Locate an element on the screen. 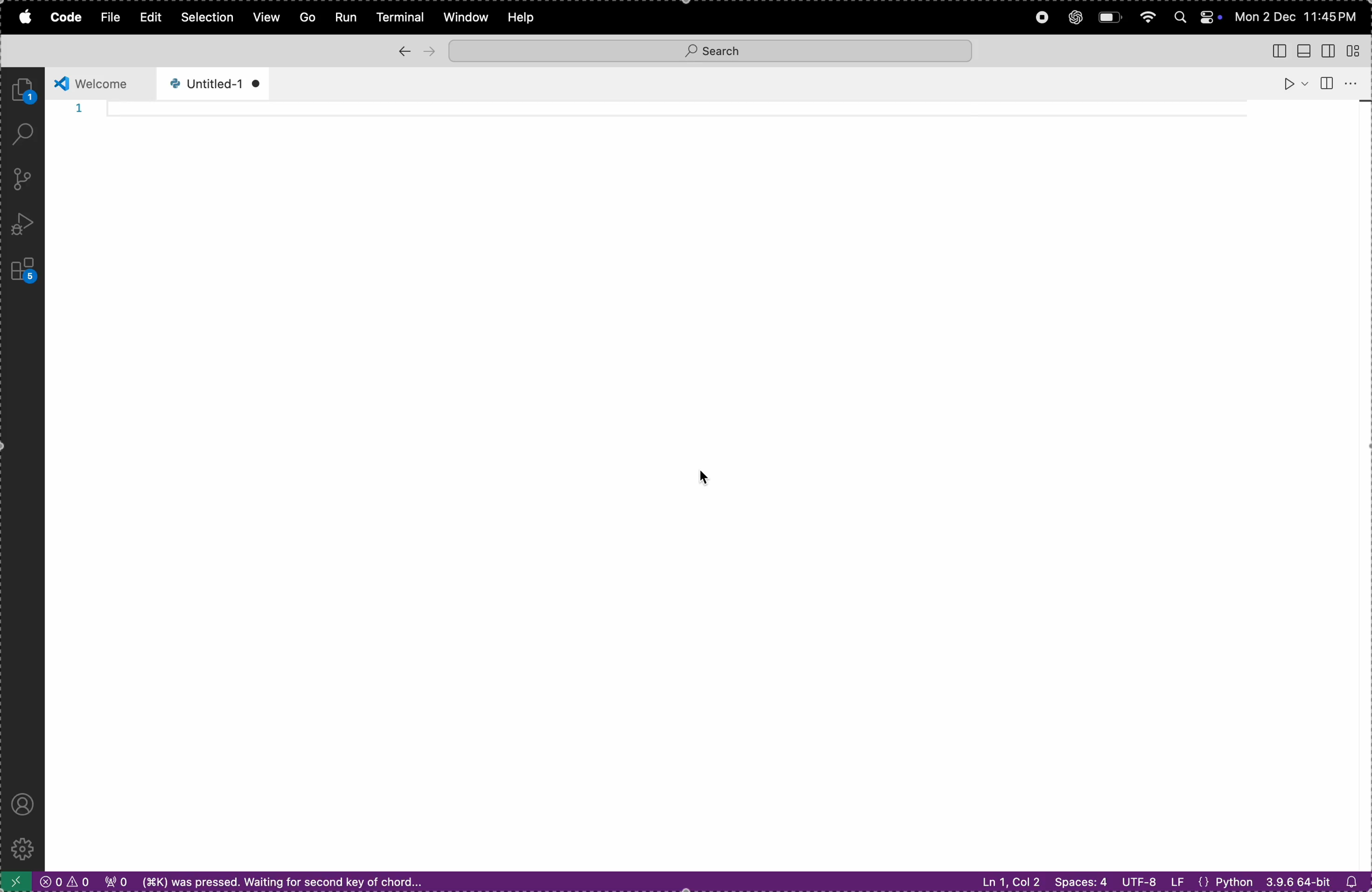  un titled is located at coordinates (209, 84).